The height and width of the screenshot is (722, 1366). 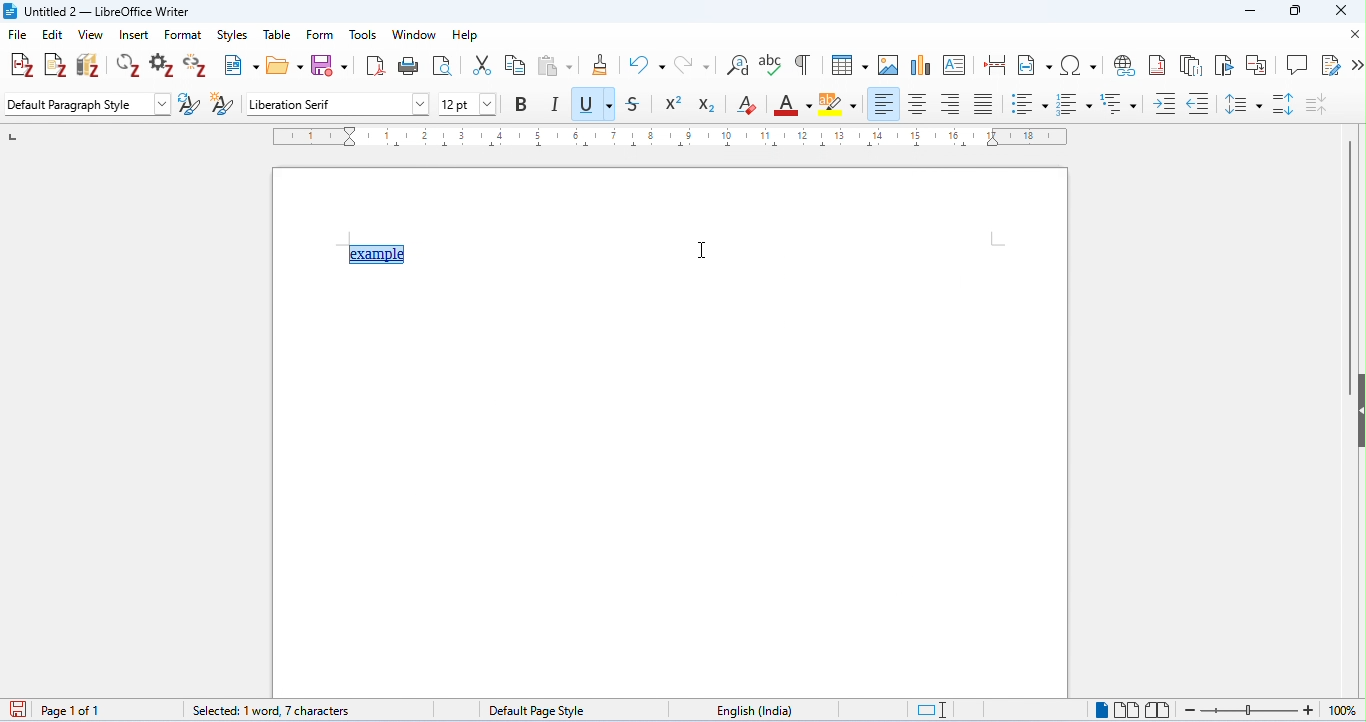 What do you see at coordinates (921, 64) in the screenshot?
I see `insert chart` at bounding box center [921, 64].